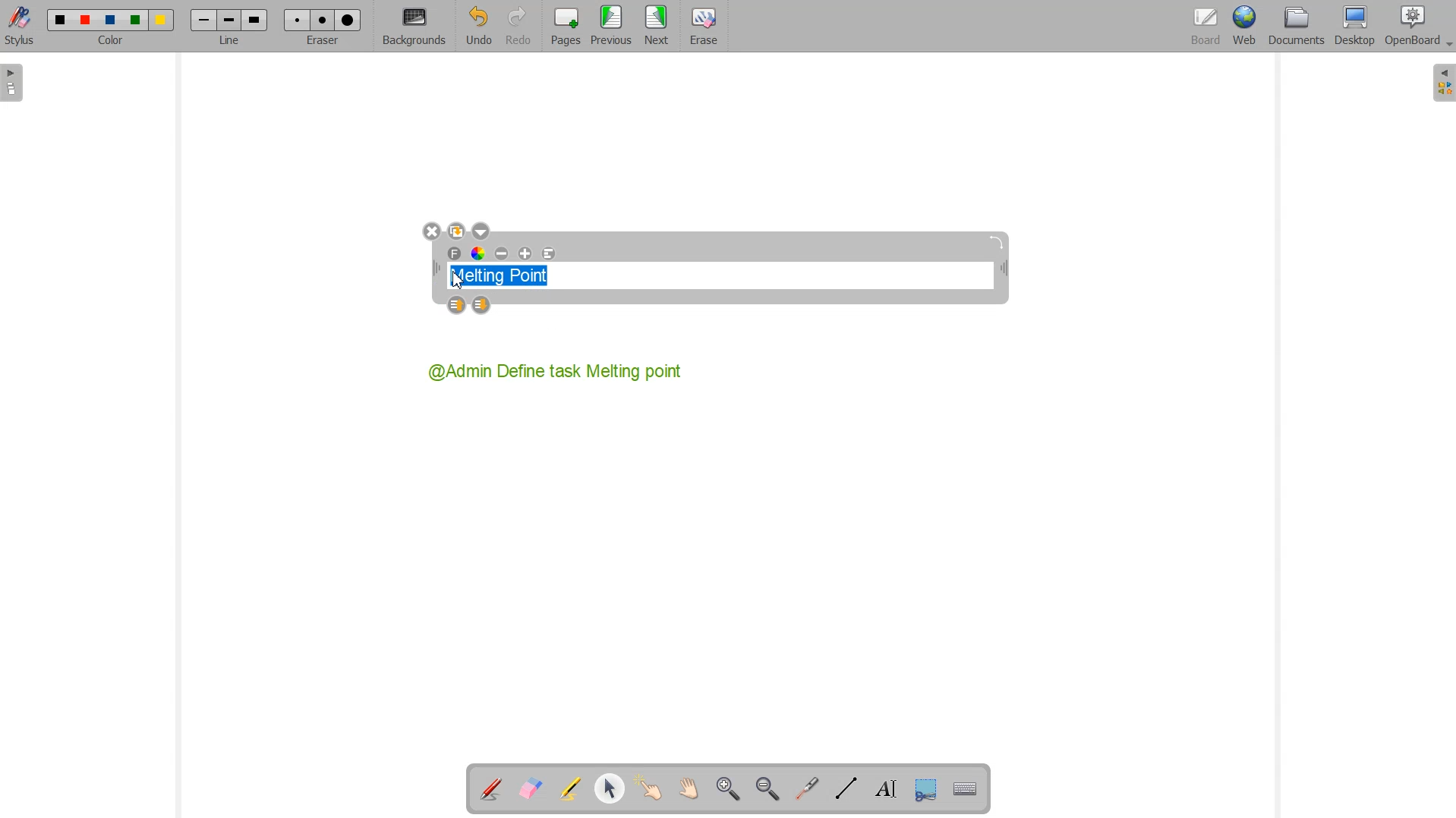 The image size is (1456, 818). Describe the element at coordinates (479, 254) in the screenshot. I see `Text Color` at that location.